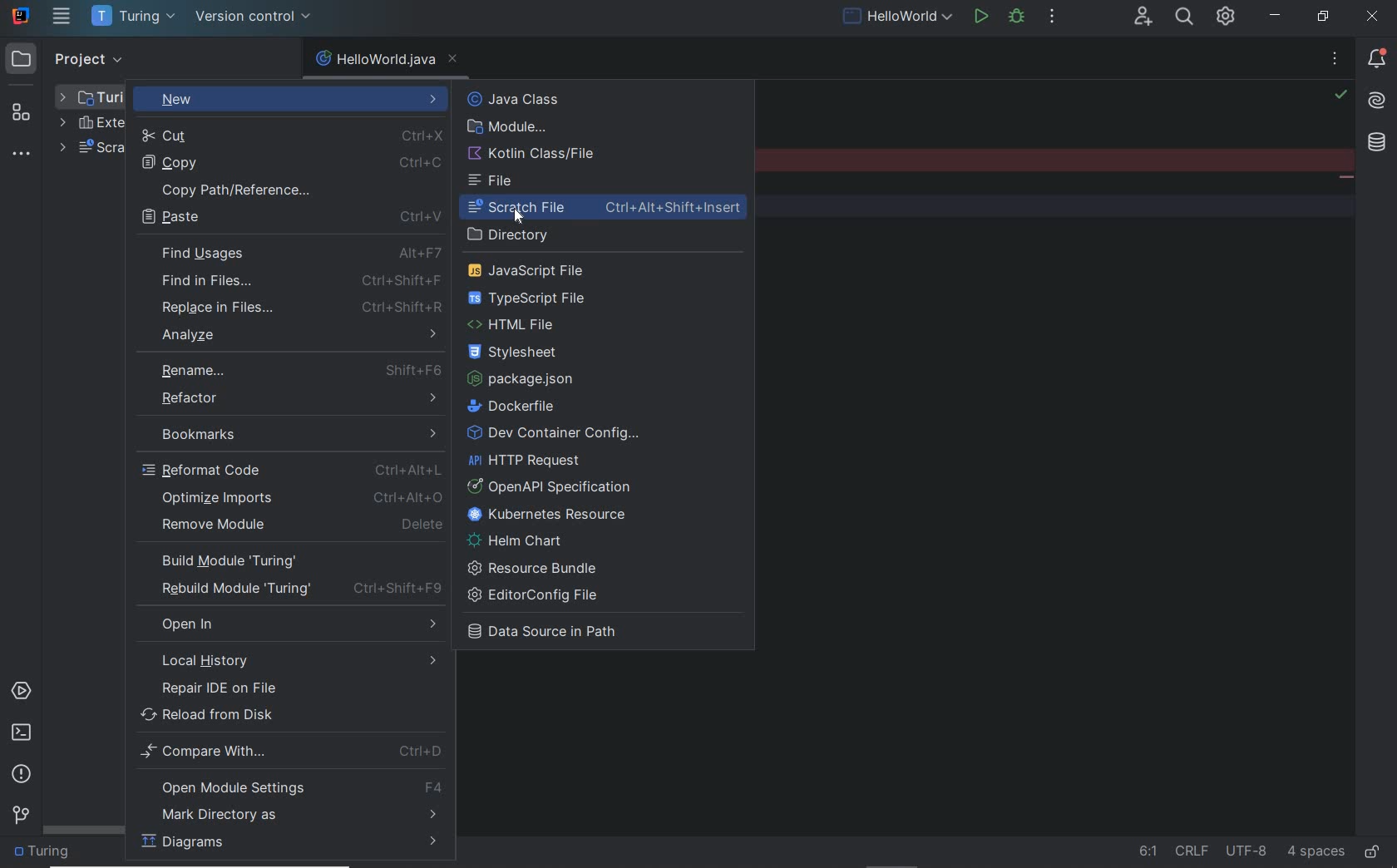 The width and height of the screenshot is (1397, 868). I want to click on AI Assistant, so click(1377, 101).